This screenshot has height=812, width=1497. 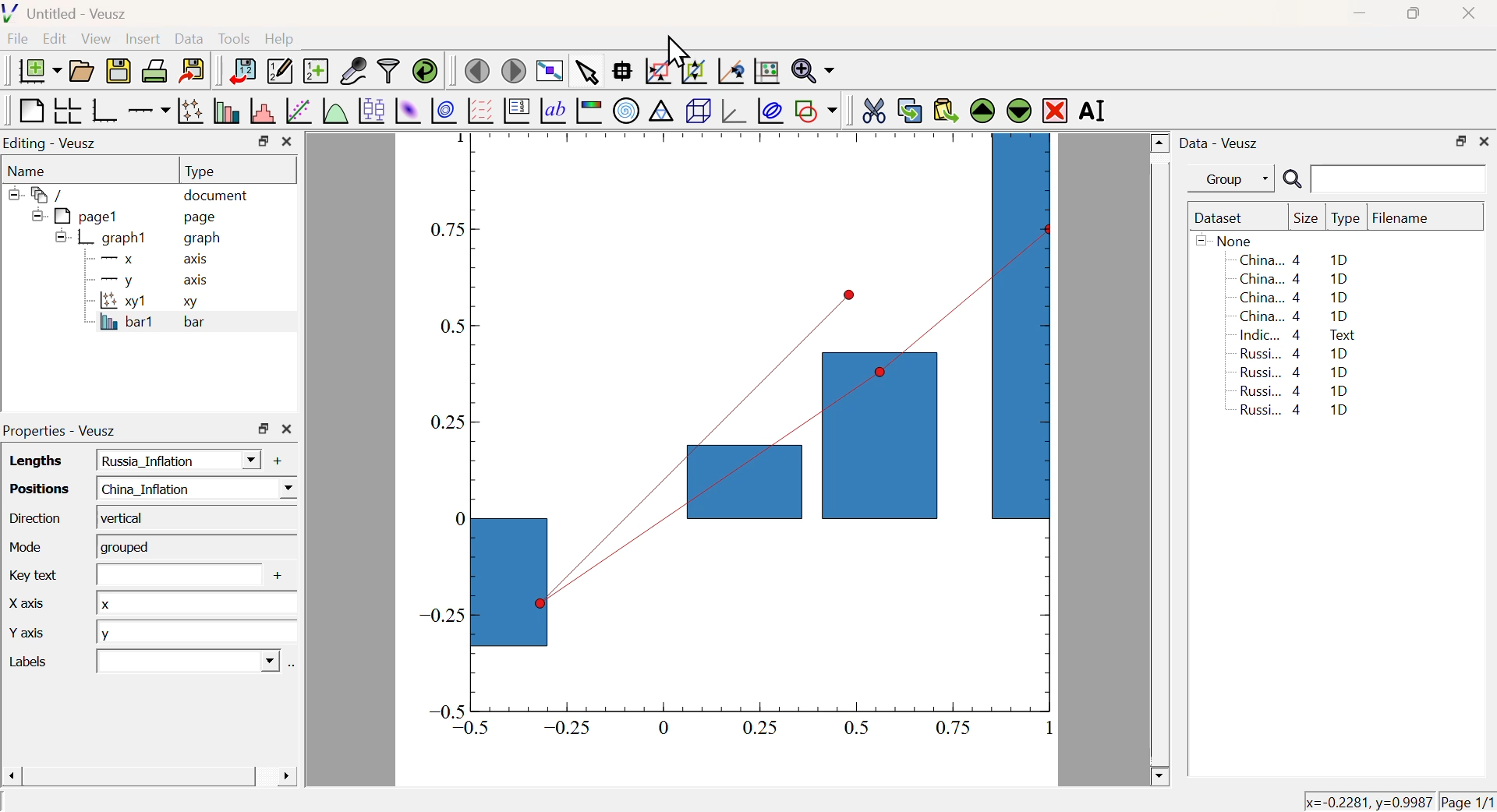 What do you see at coordinates (66, 110) in the screenshot?
I see `Arrange graph in grid` at bounding box center [66, 110].